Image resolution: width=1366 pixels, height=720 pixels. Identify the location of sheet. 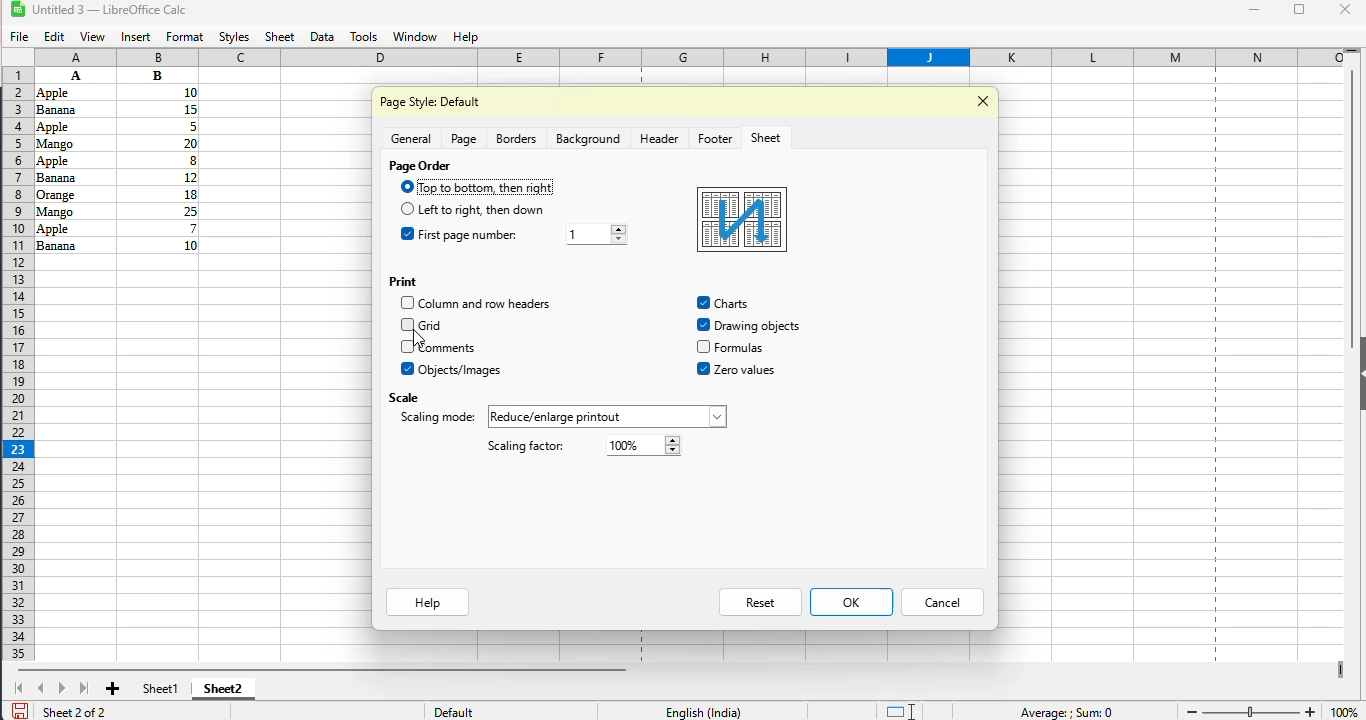
(765, 138).